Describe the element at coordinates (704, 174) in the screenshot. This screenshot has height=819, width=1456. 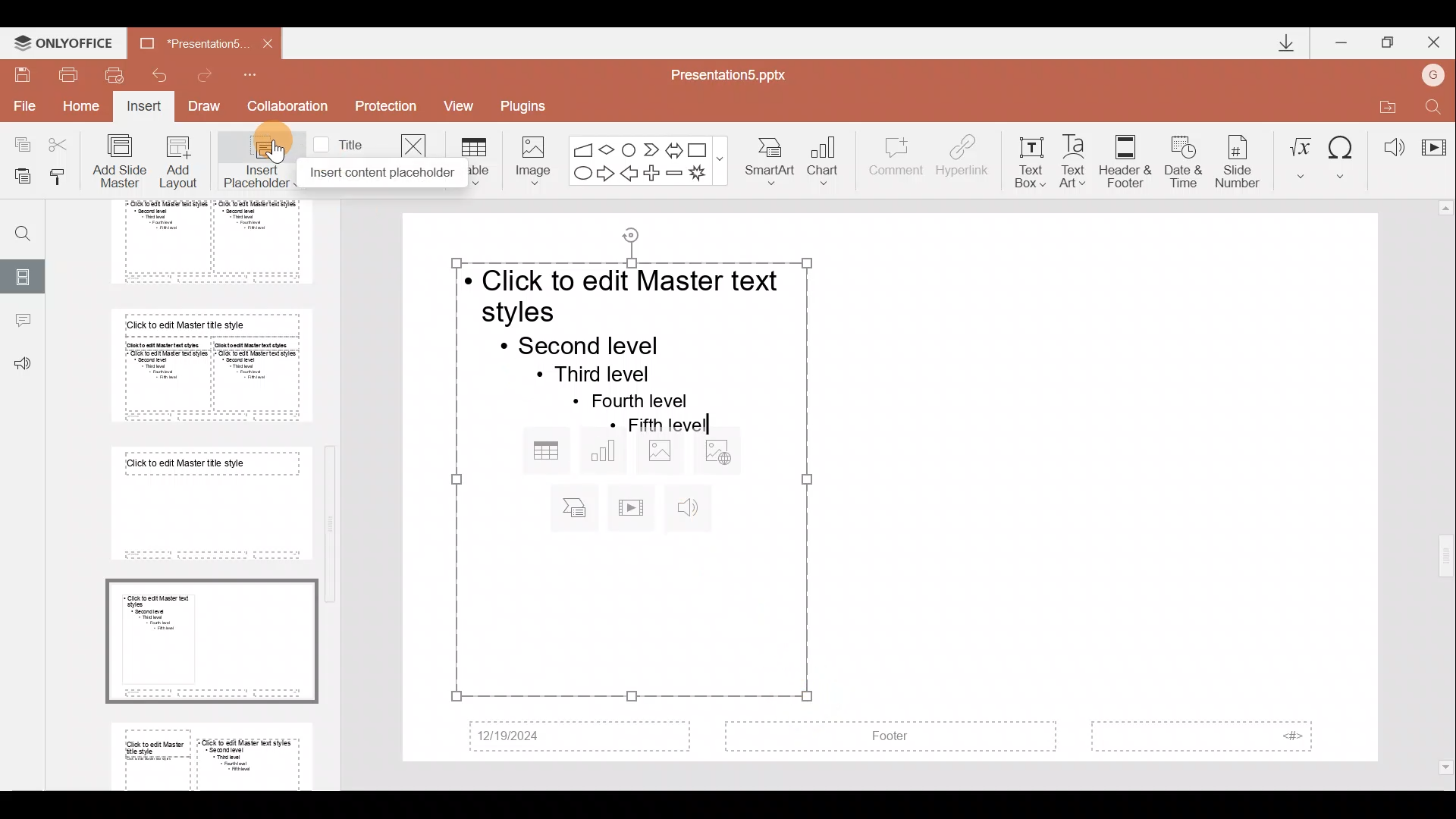
I see `Explosion 1` at that location.